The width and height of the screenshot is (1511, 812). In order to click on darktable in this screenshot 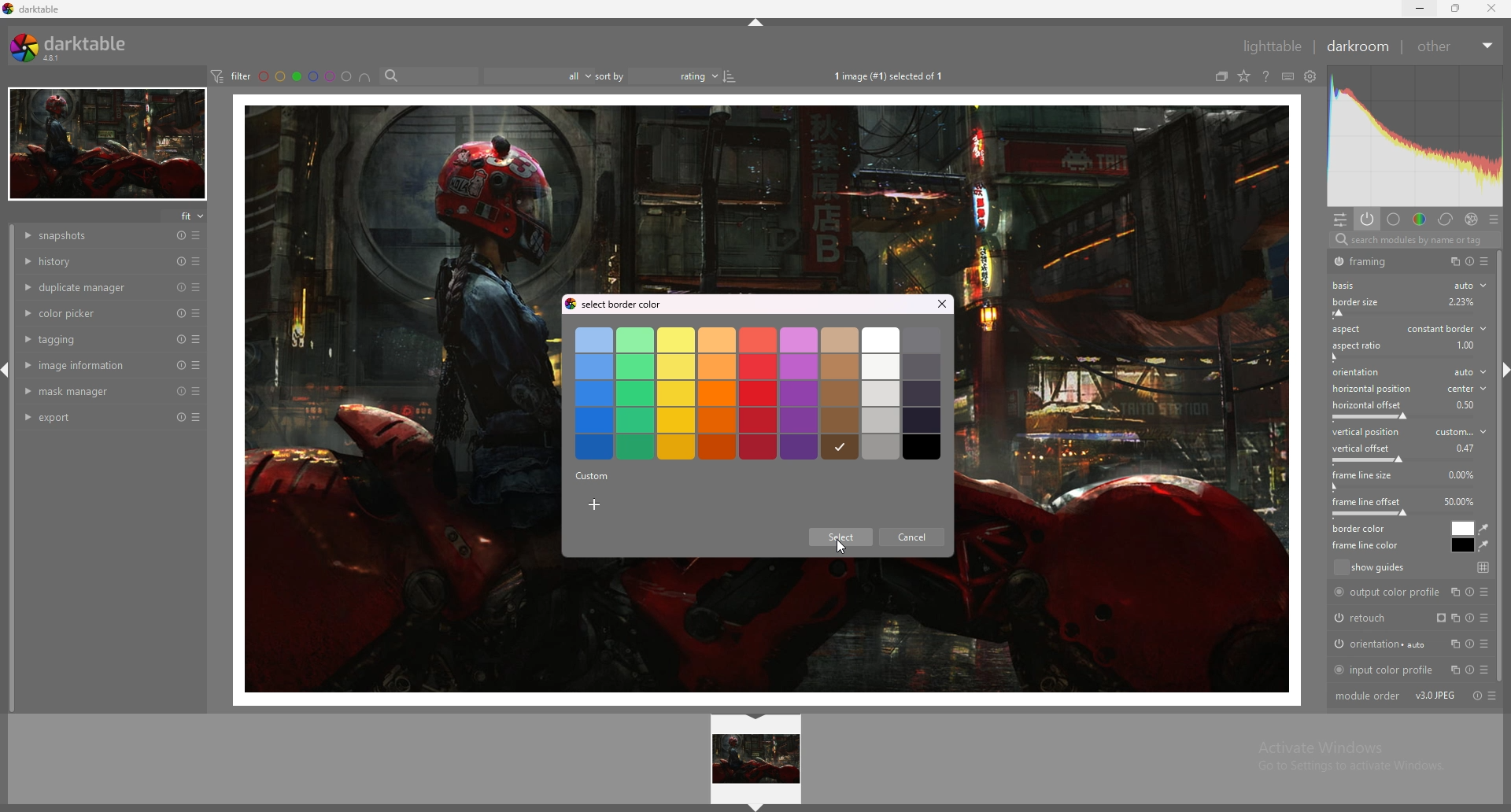, I will do `click(33, 9)`.